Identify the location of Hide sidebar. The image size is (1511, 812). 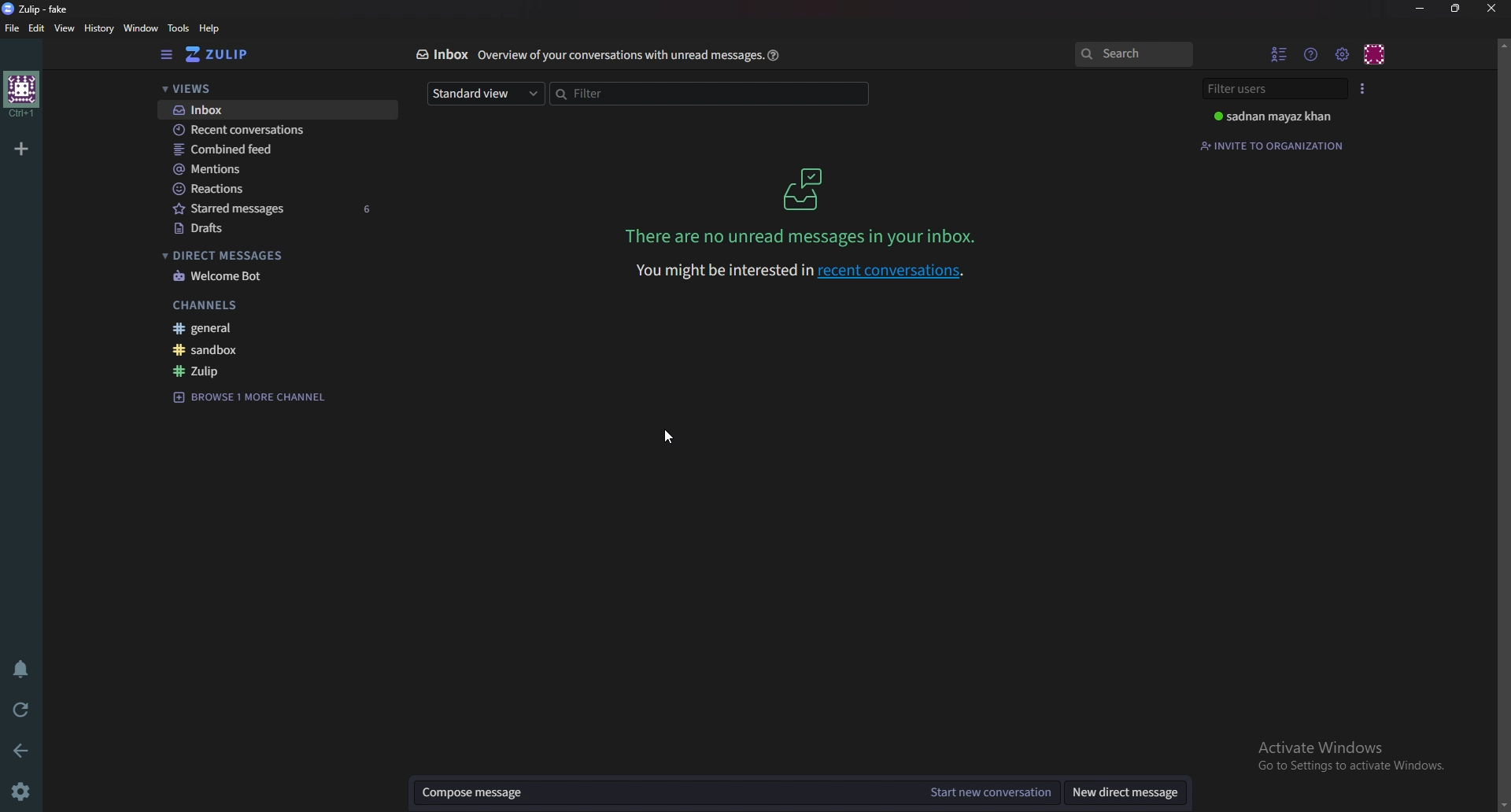
(167, 56).